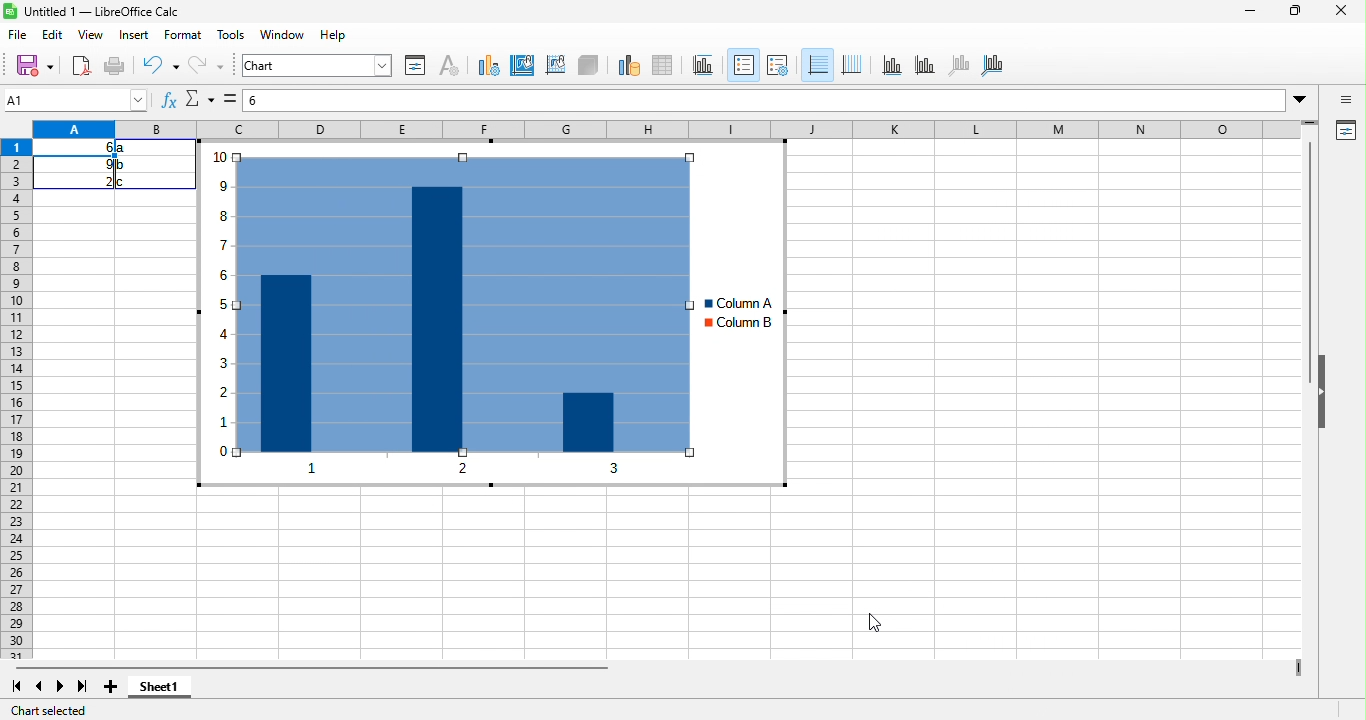 The width and height of the screenshot is (1366, 720). Describe the element at coordinates (1344, 12) in the screenshot. I see `close` at that location.